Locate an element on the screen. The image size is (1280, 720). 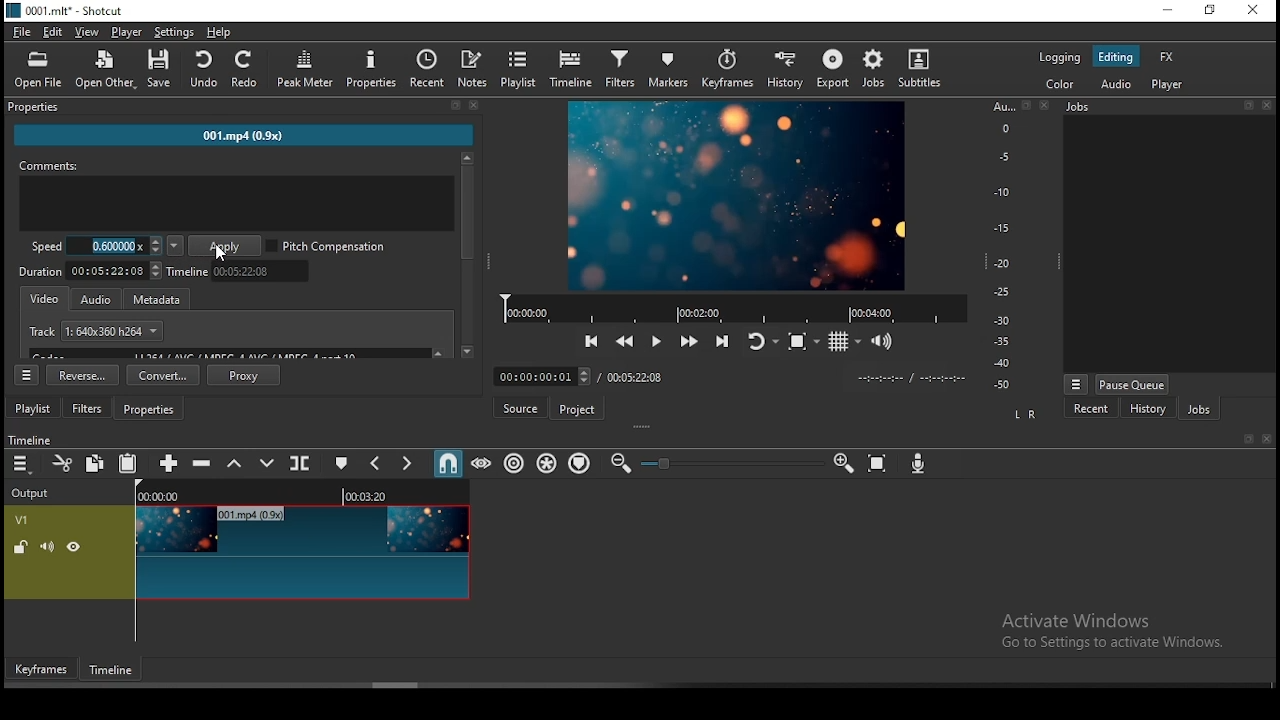
speed presets  is located at coordinates (175, 246).